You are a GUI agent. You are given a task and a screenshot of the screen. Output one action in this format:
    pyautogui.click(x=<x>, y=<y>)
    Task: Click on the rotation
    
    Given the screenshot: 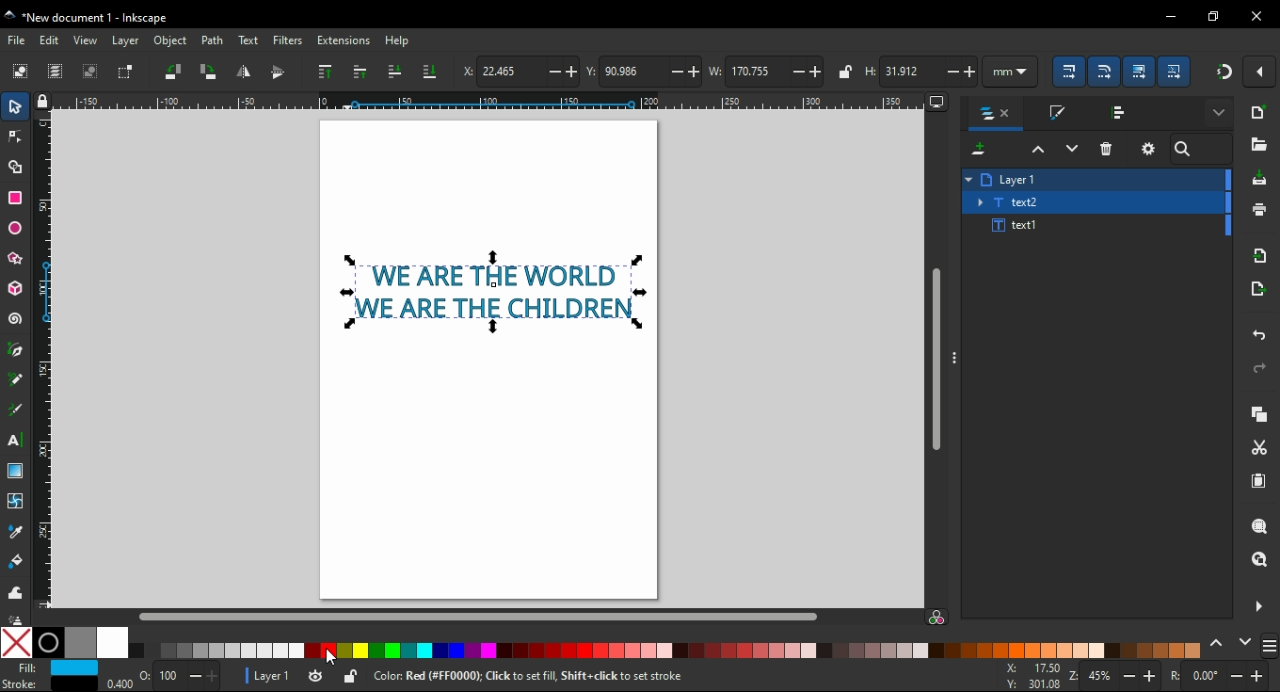 What is the action you would take?
    pyautogui.click(x=1220, y=676)
    